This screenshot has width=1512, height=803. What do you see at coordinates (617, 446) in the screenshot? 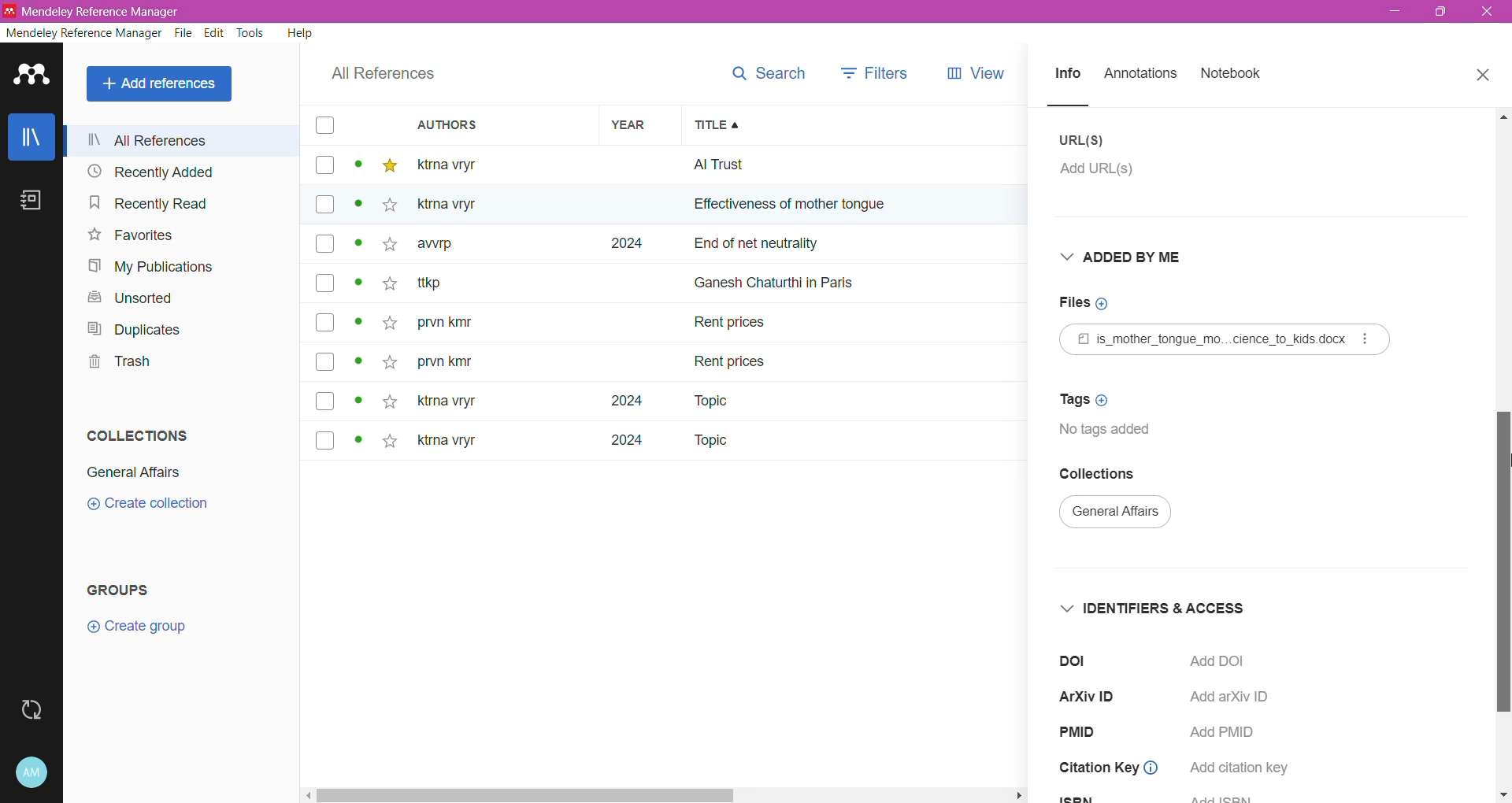
I see `2024` at bounding box center [617, 446].